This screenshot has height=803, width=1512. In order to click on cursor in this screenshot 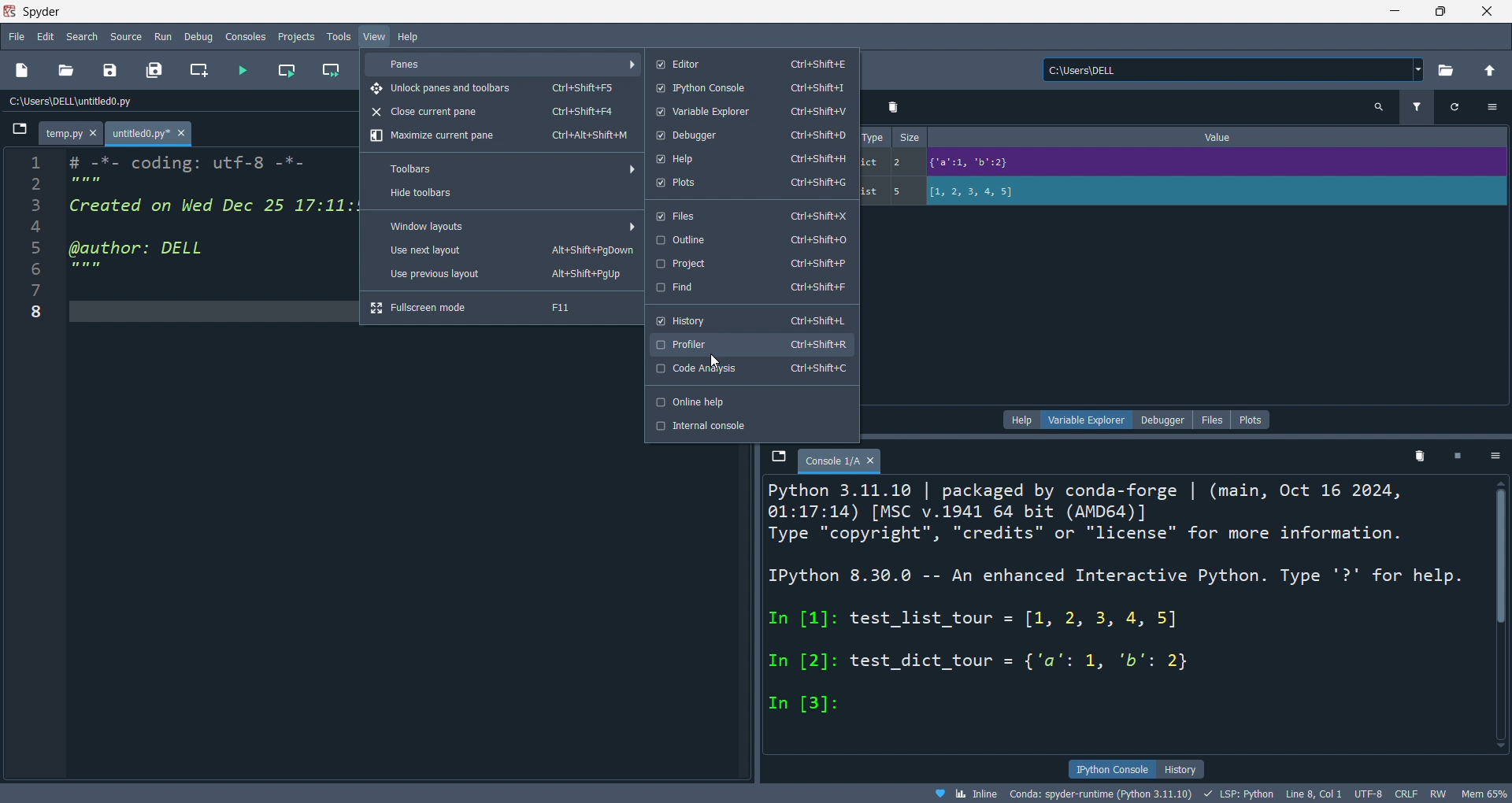, I will do `click(713, 357)`.